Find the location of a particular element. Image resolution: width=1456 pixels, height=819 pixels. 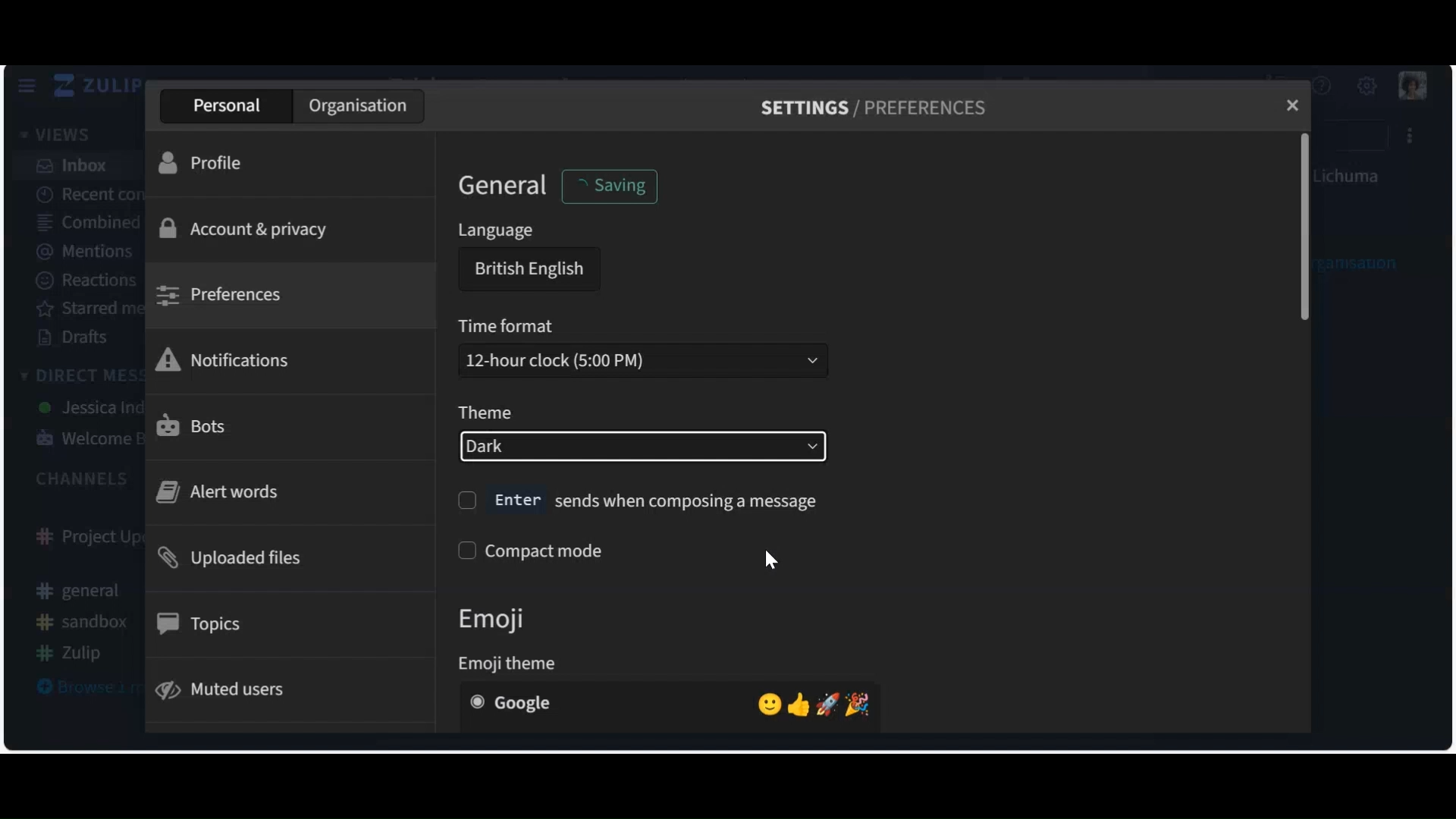

 is located at coordinates (639, 500).